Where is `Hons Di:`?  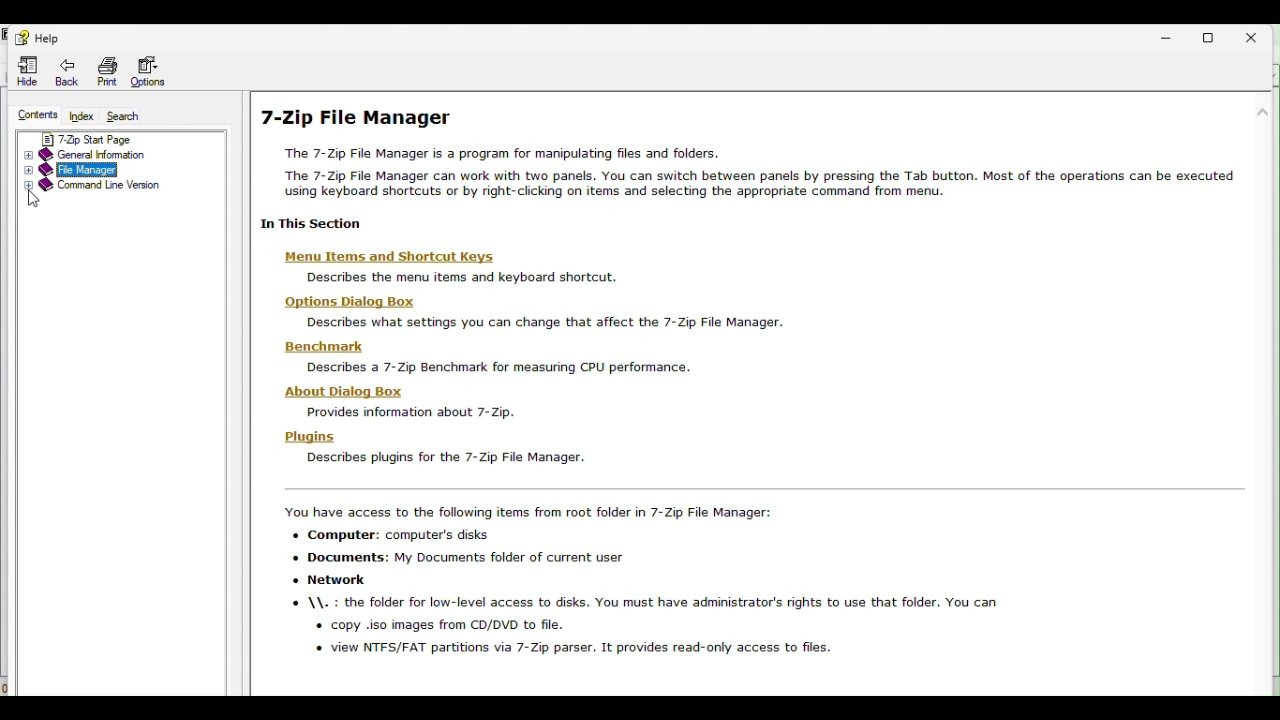
Hons Di: is located at coordinates (352, 302).